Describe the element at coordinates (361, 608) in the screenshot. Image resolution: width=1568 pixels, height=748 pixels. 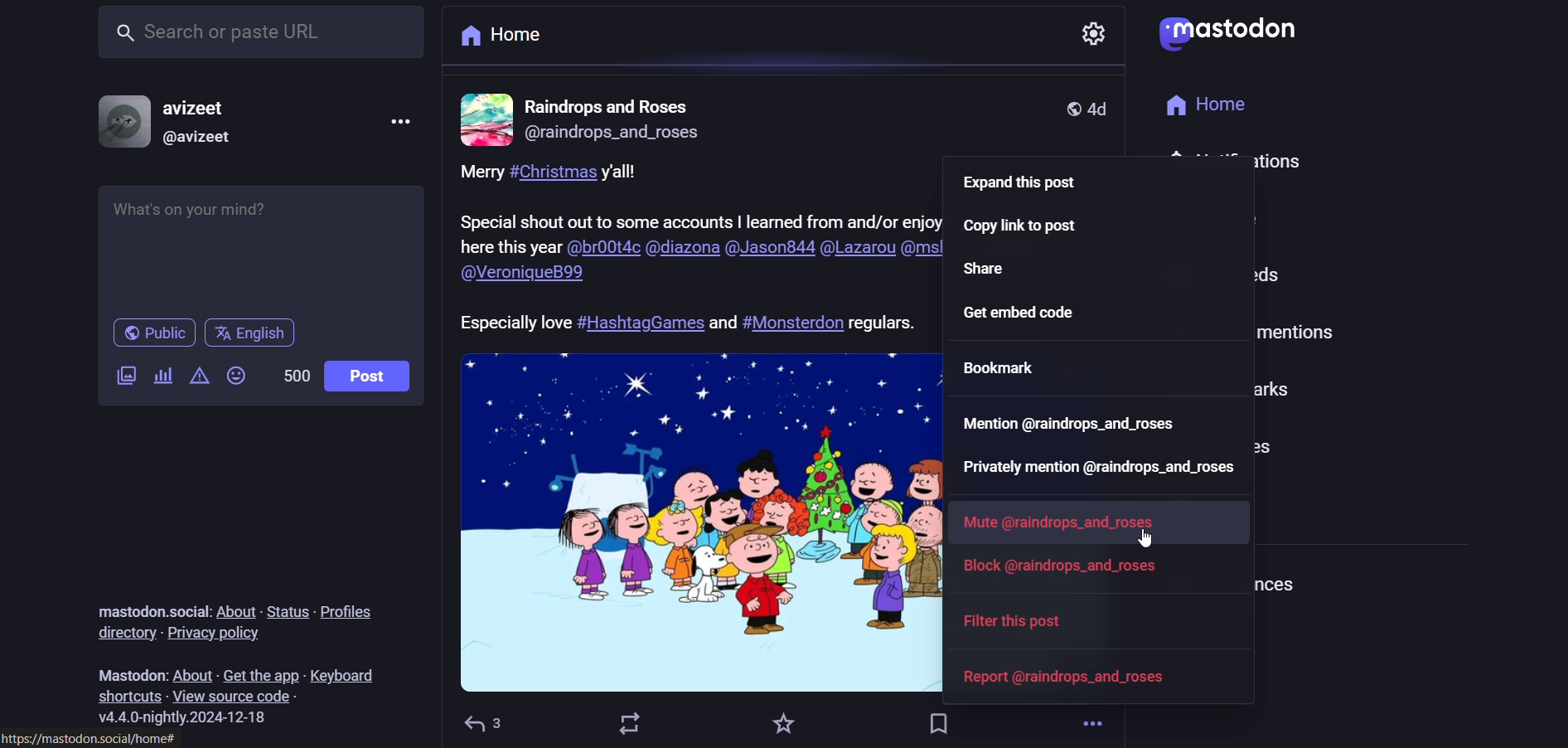
I see `profiles` at that location.